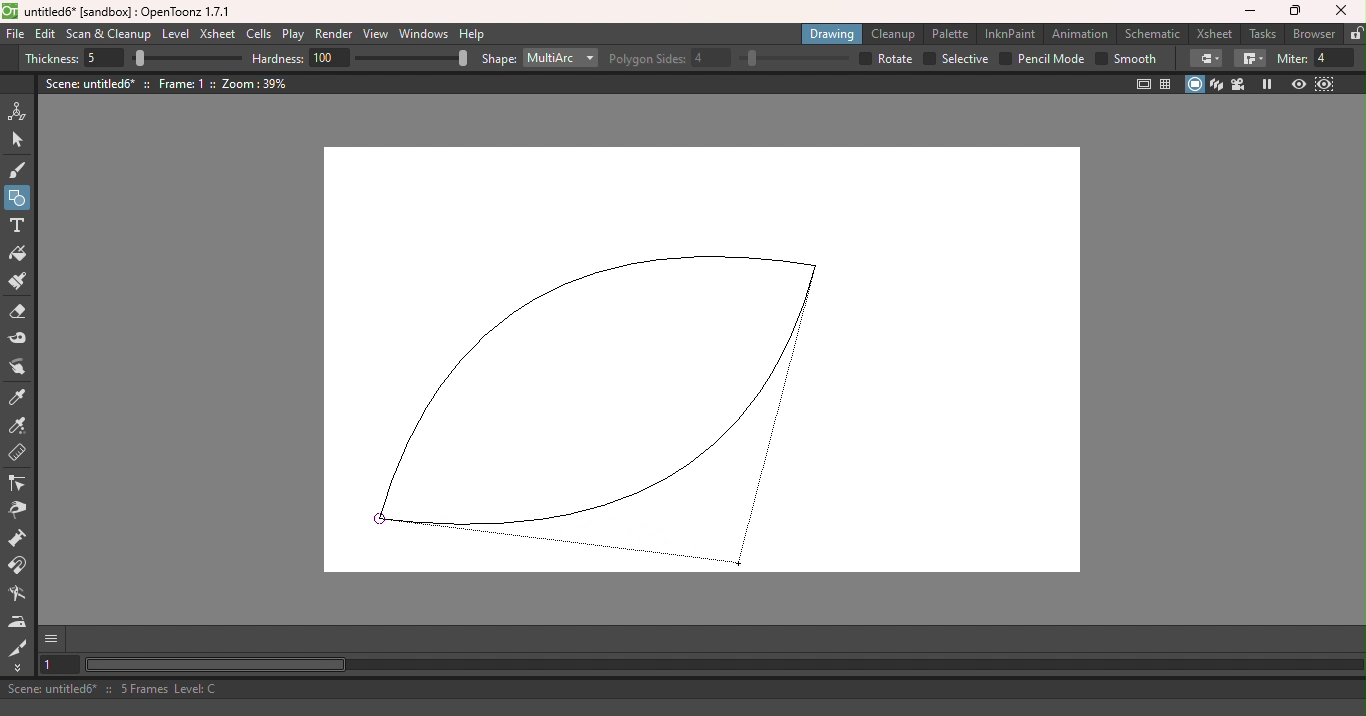 This screenshot has width=1366, height=716. I want to click on Preview, so click(1298, 85).